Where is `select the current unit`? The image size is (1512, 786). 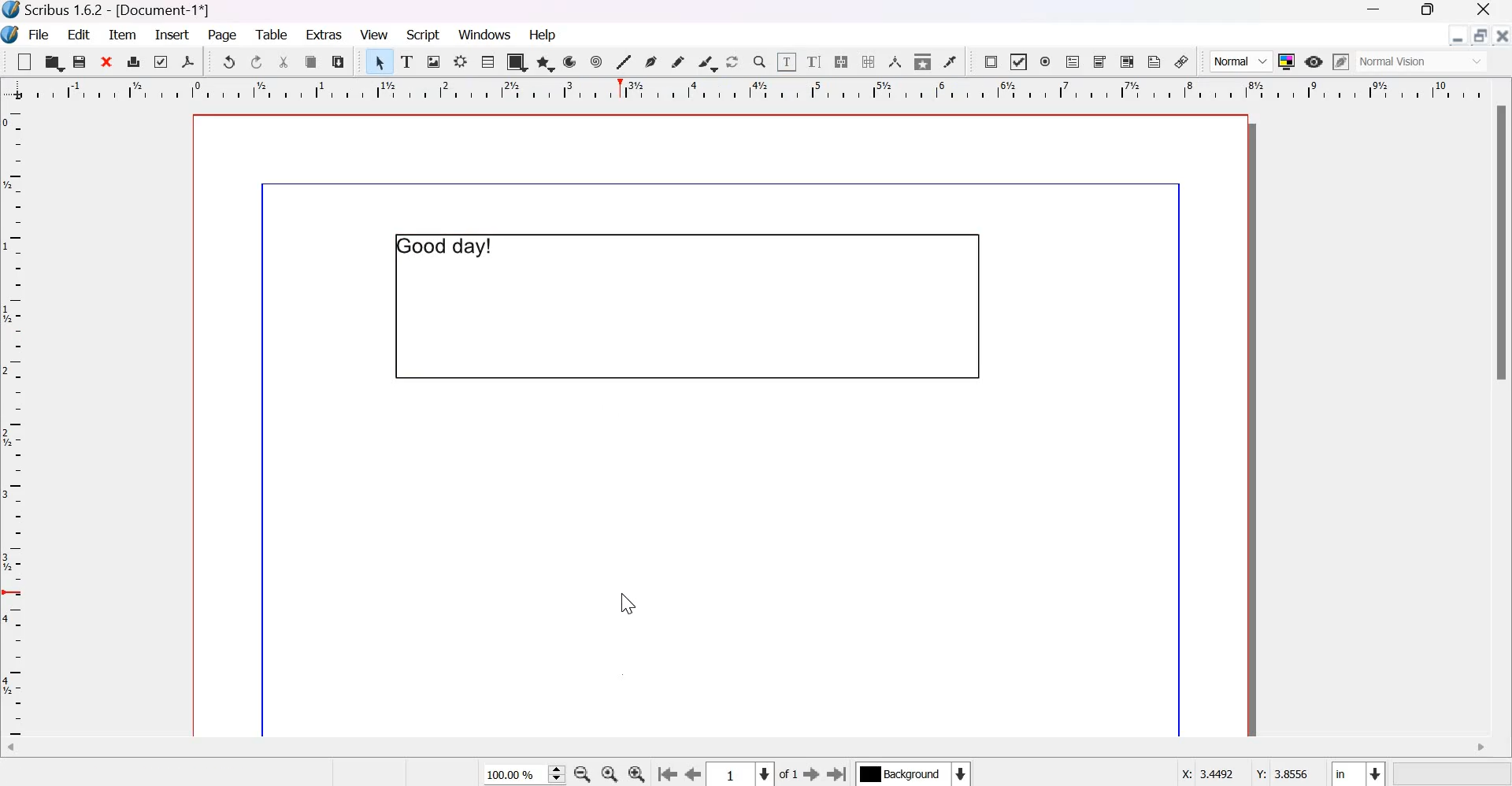
select the current unit is located at coordinates (1358, 772).